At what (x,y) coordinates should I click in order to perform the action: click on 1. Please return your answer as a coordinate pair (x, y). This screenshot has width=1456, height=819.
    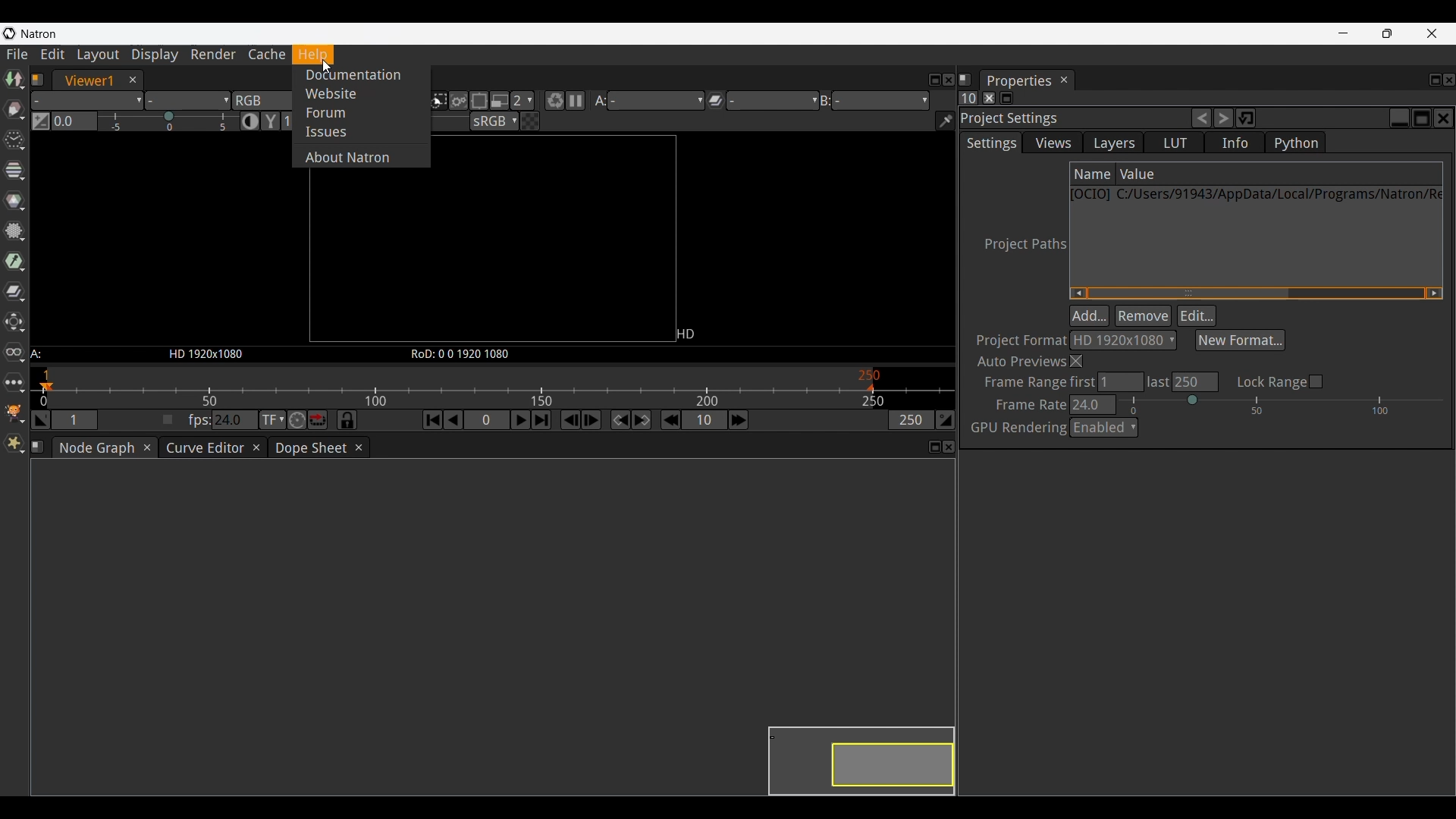
    Looking at the image, I should click on (74, 419).